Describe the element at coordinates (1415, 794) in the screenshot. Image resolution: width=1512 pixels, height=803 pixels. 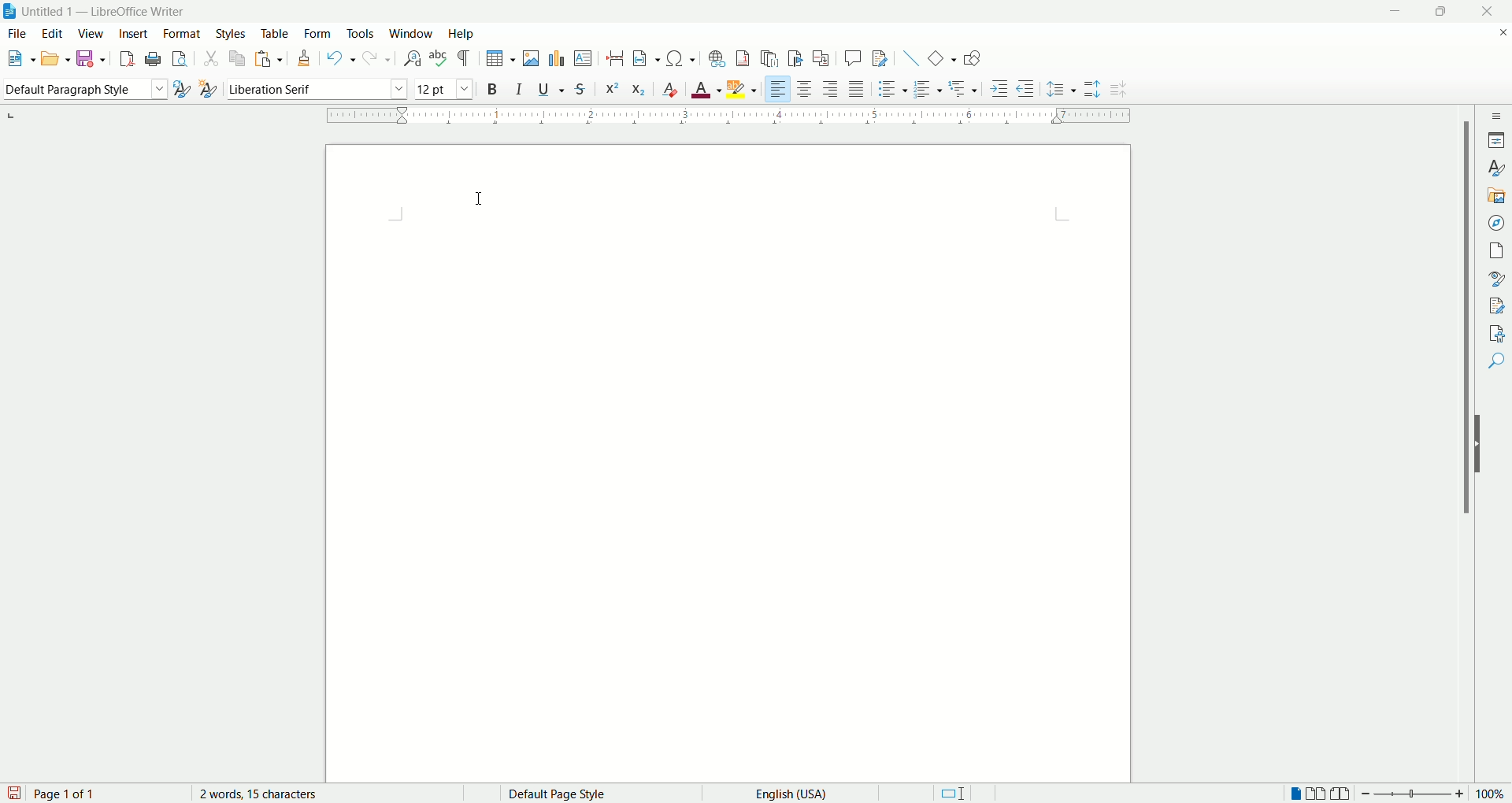
I see `zoom bar` at that location.